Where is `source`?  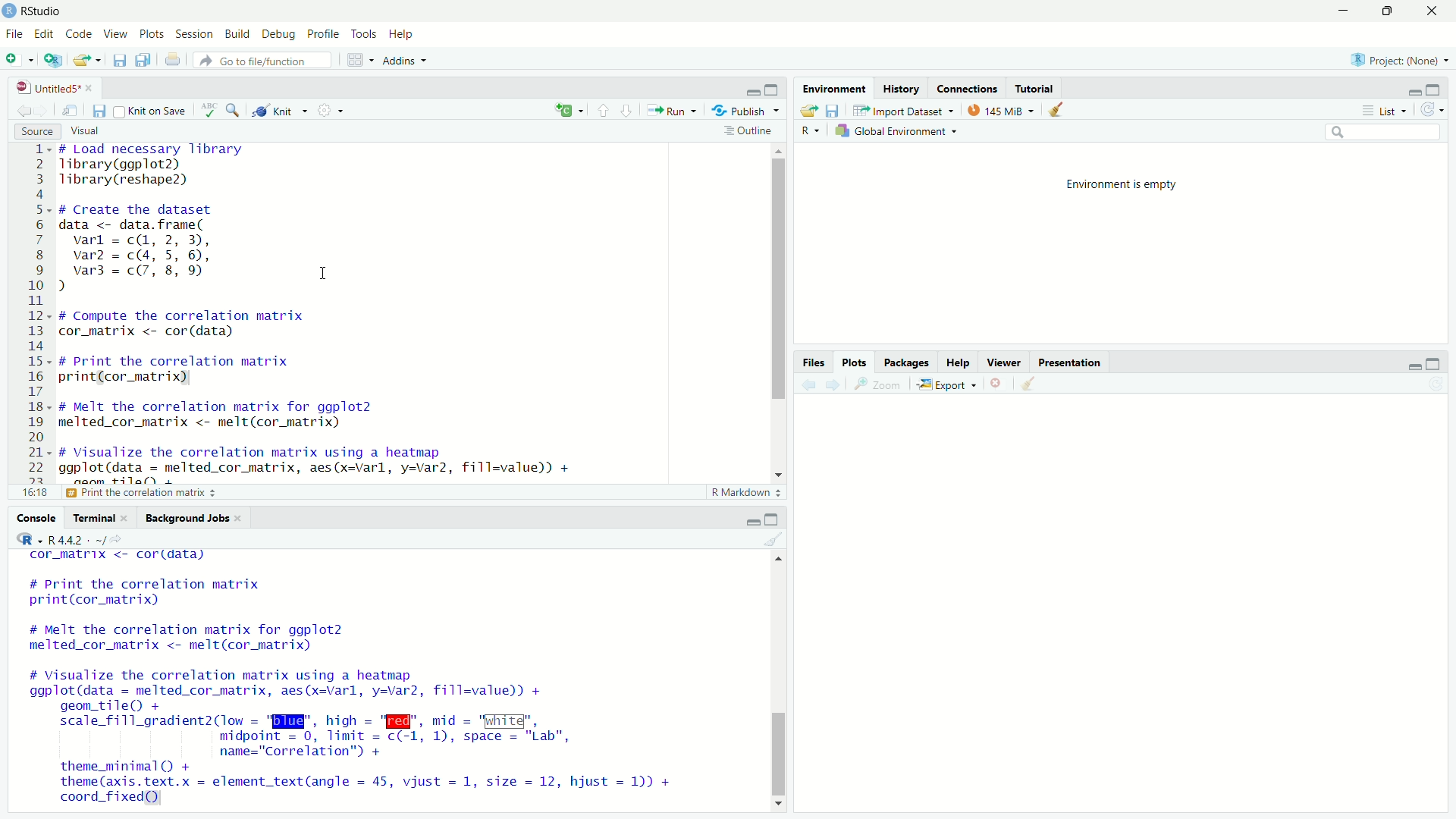
source is located at coordinates (37, 131).